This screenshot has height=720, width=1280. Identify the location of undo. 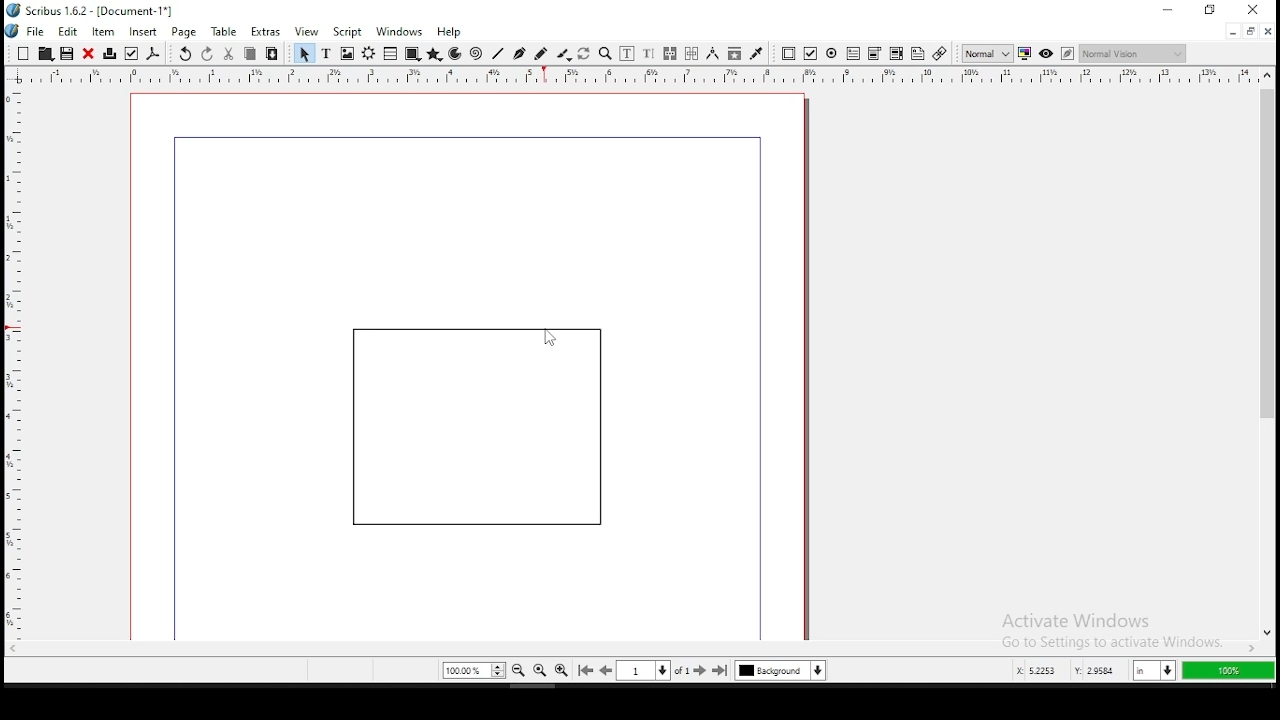
(184, 54).